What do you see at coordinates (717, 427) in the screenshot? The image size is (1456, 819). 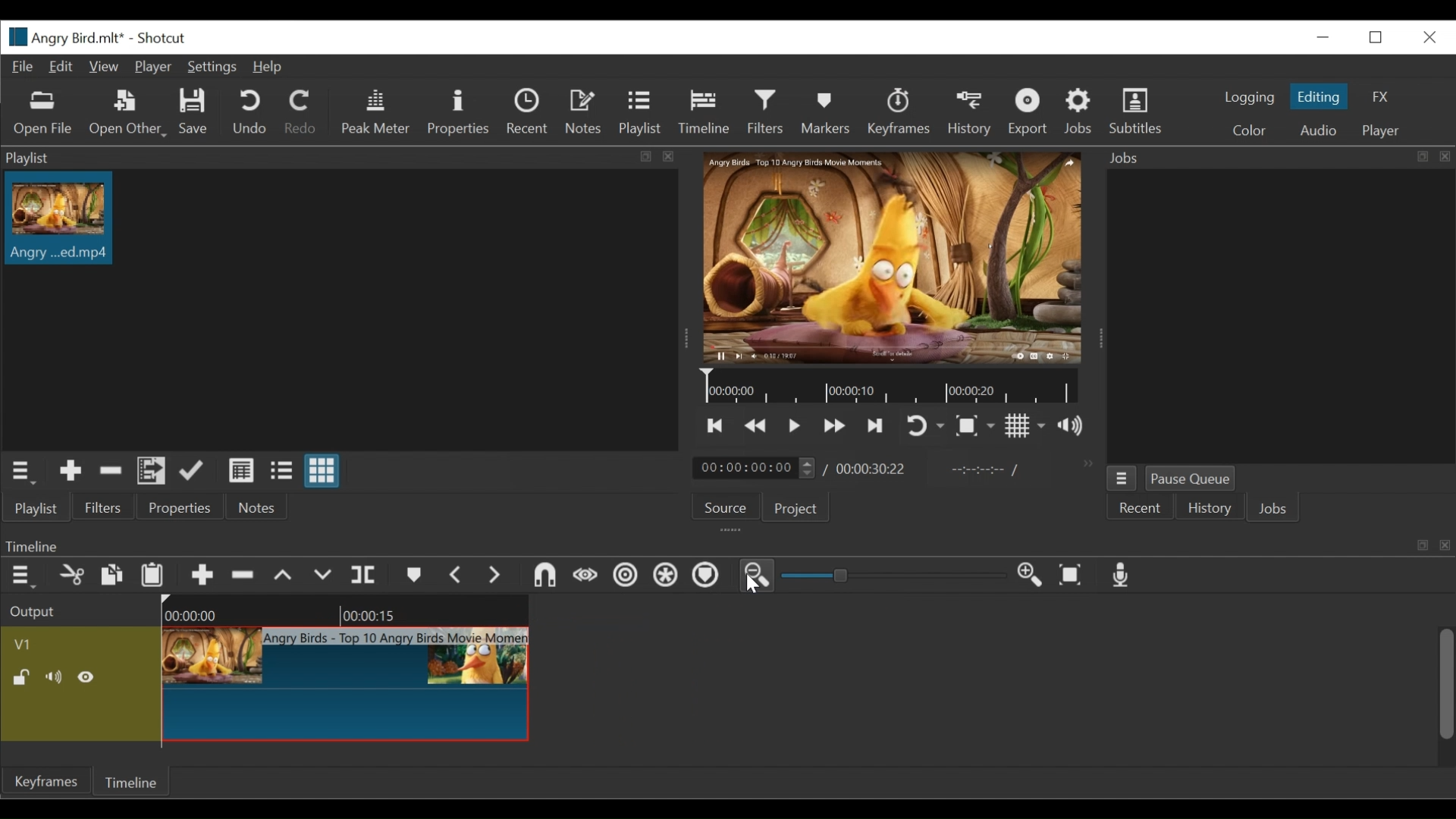 I see `Skip to the previous point` at bounding box center [717, 427].